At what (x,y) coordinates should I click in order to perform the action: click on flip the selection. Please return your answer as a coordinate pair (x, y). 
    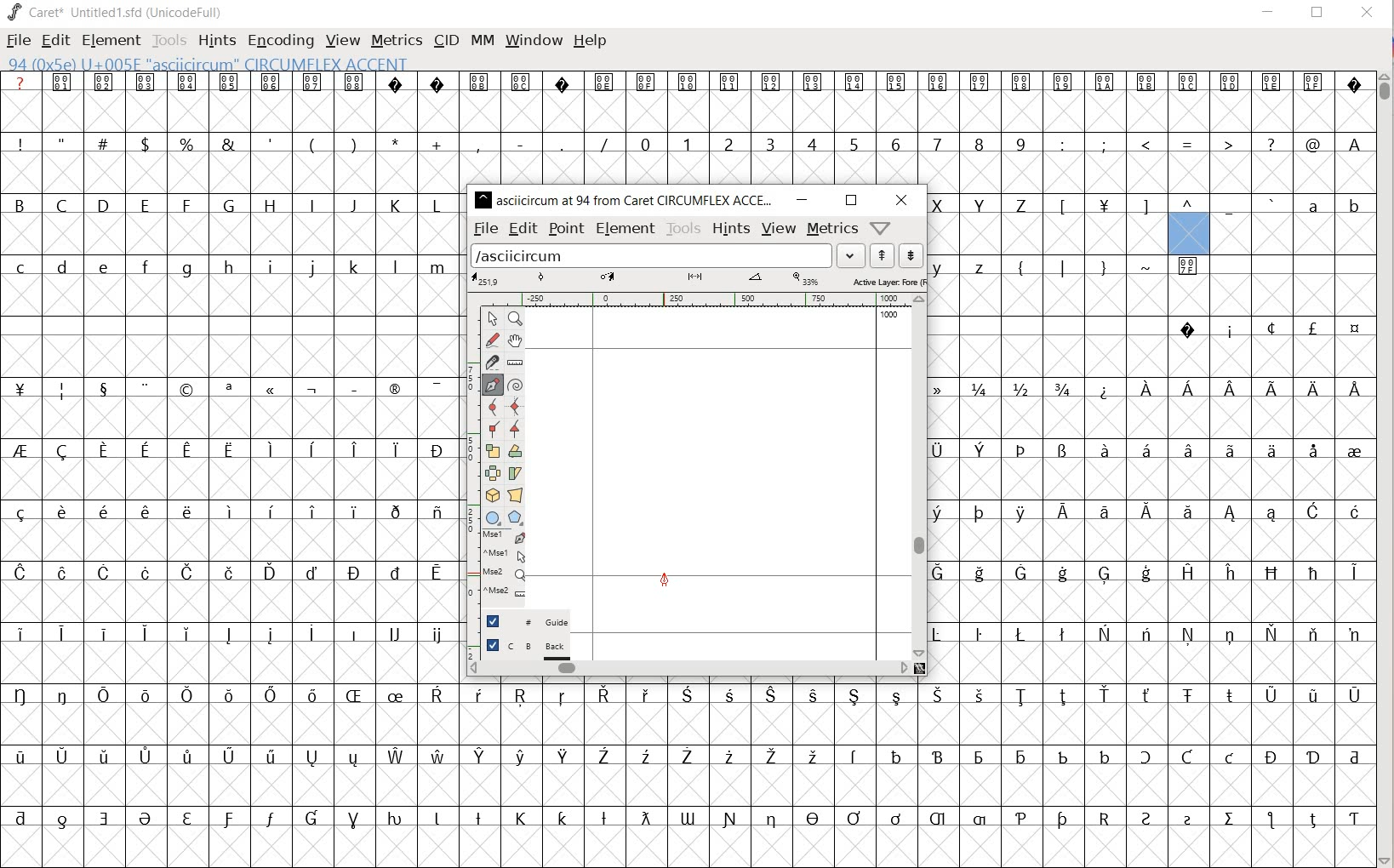
    Looking at the image, I should click on (492, 473).